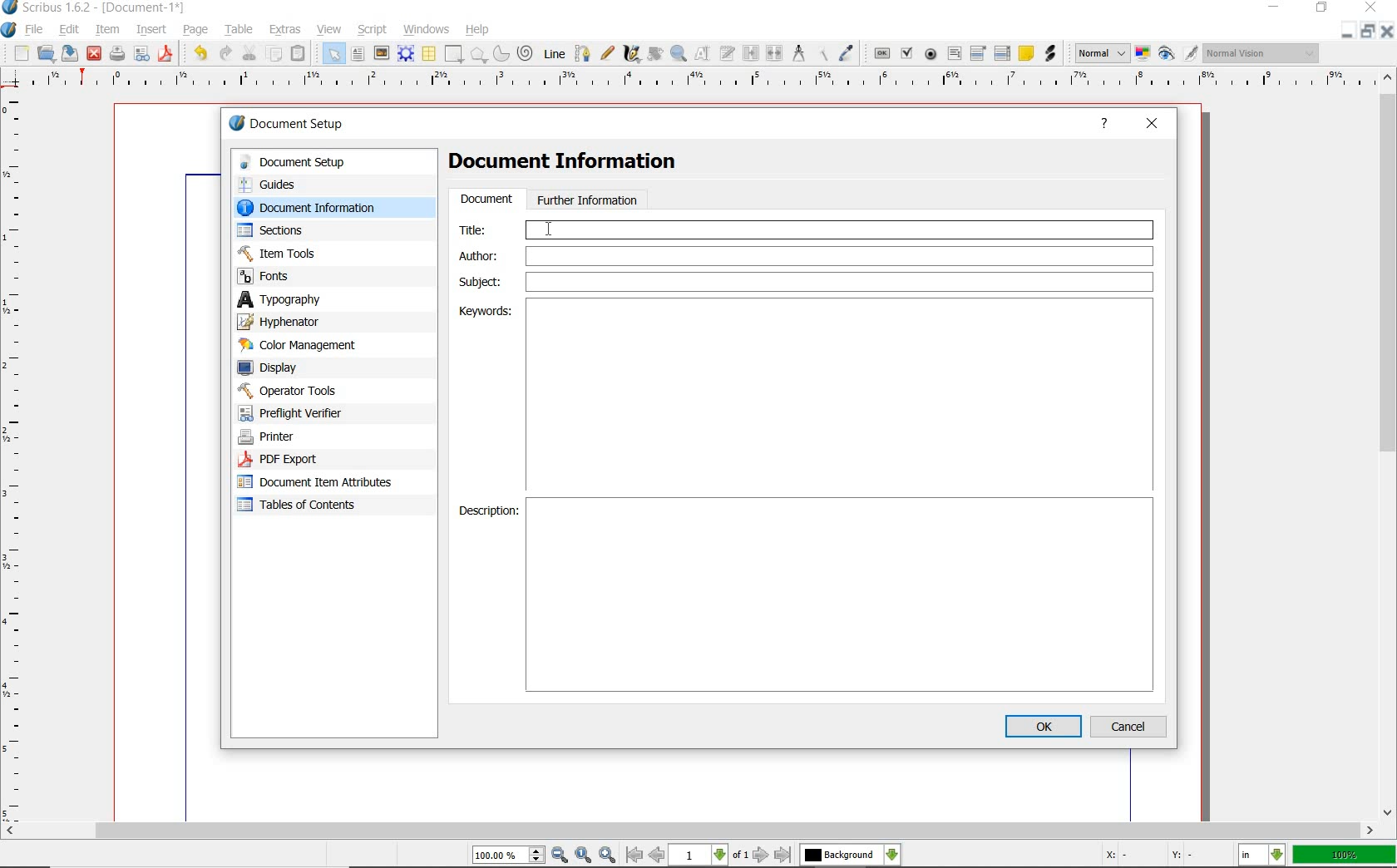 The width and height of the screenshot is (1397, 868). Describe the element at coordinates (842, 594) in the screenshot. I see `Description` at that location.